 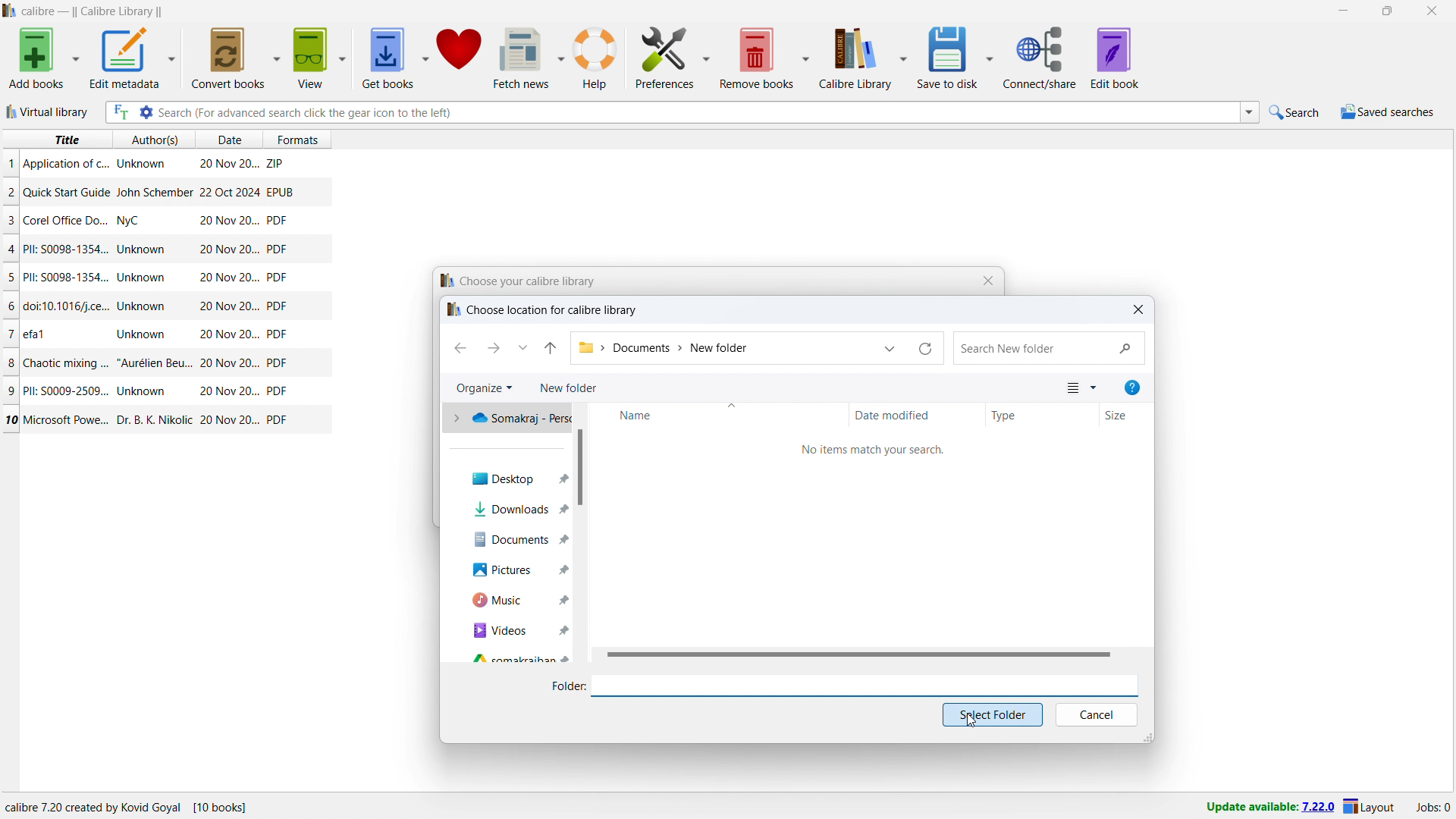 I want to click on help, so click(x=1134, y=387).